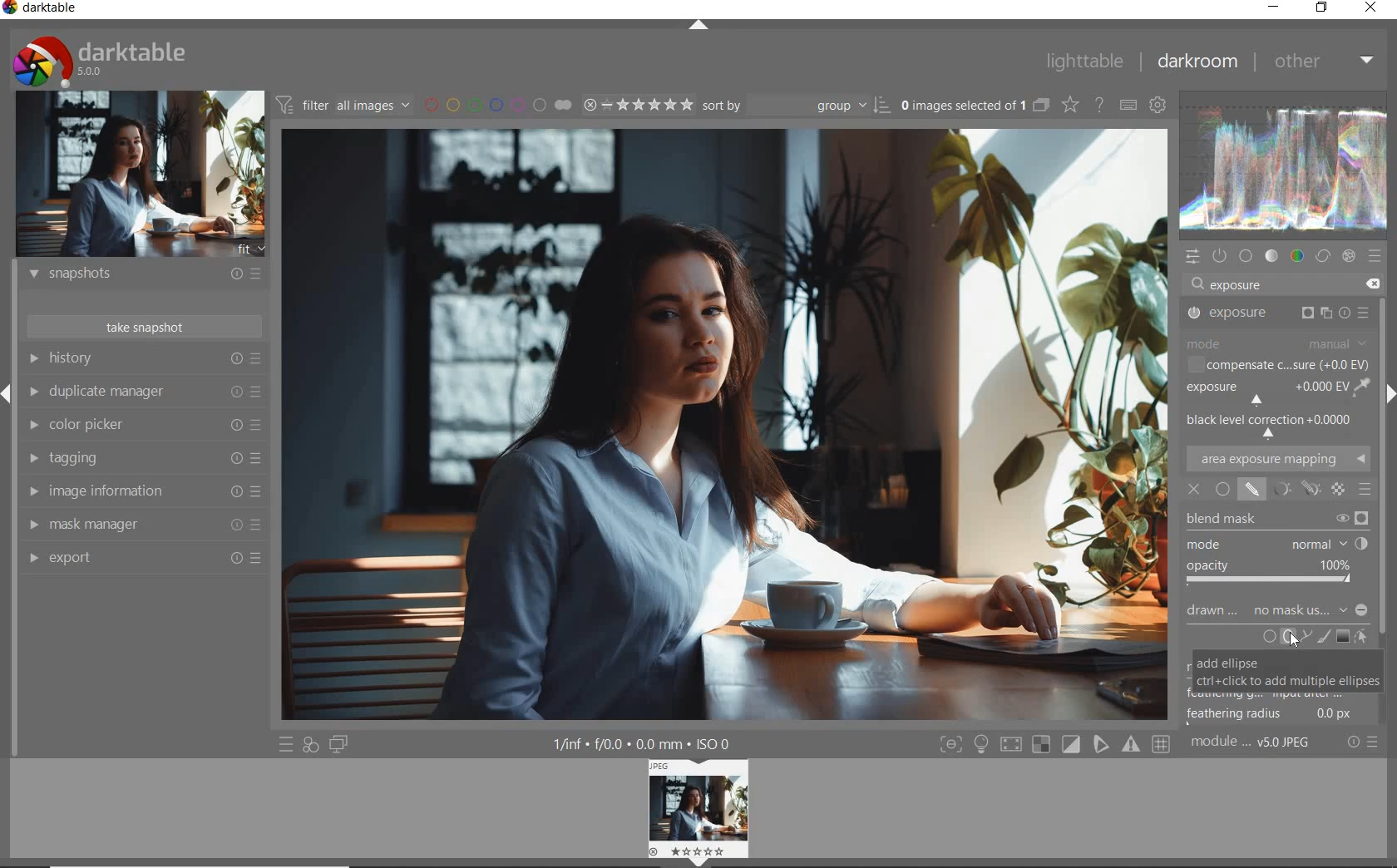 This screenshot has height=868, width=1397. What do you see at coordinates (1376, 284) in the screenshot?
I see `delete` at bounding box center [1376, 284].